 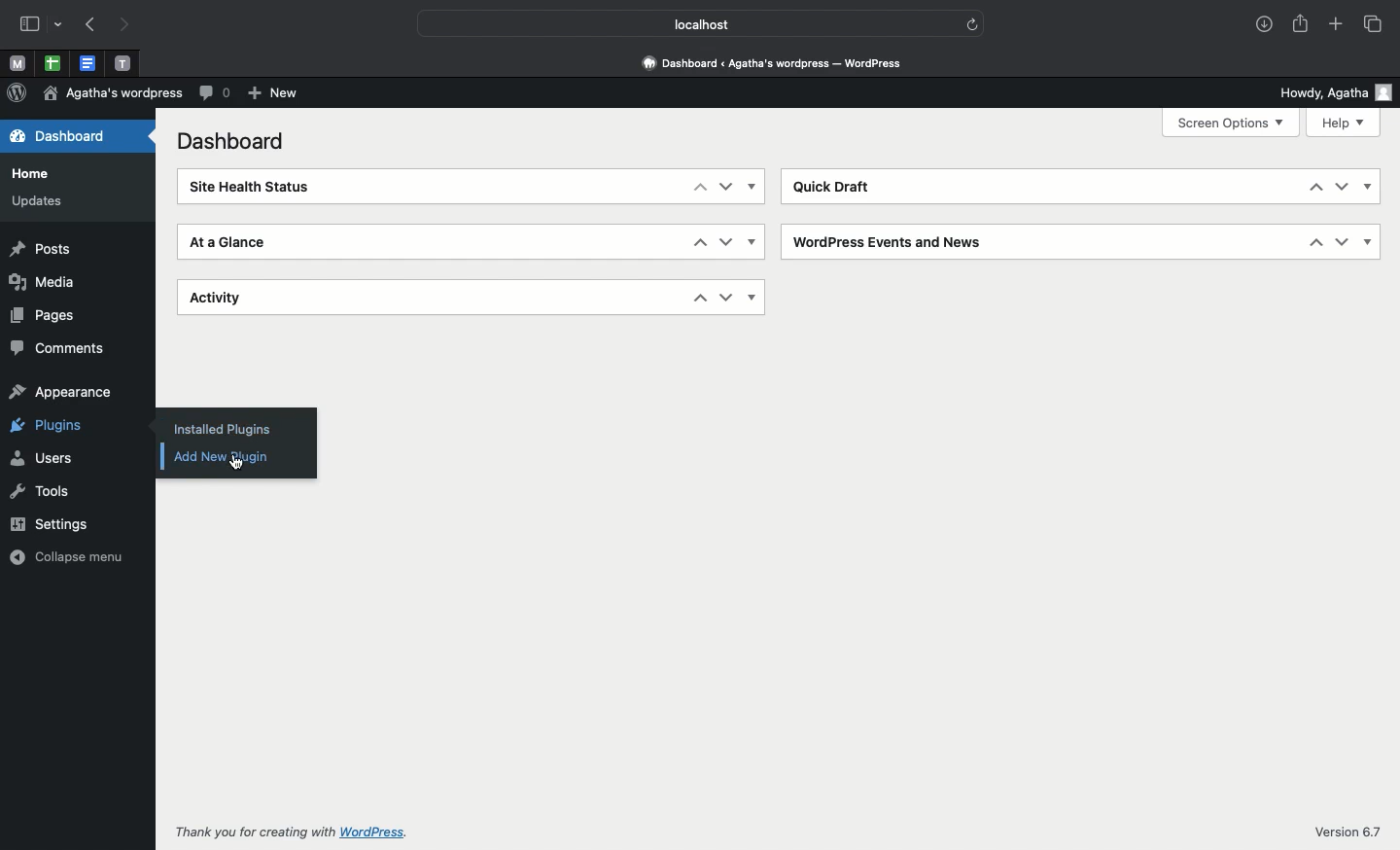 What do you see at coordinates (87, 25) in the screenshot?
I see `Previous page` at bounding box center [87, 25].